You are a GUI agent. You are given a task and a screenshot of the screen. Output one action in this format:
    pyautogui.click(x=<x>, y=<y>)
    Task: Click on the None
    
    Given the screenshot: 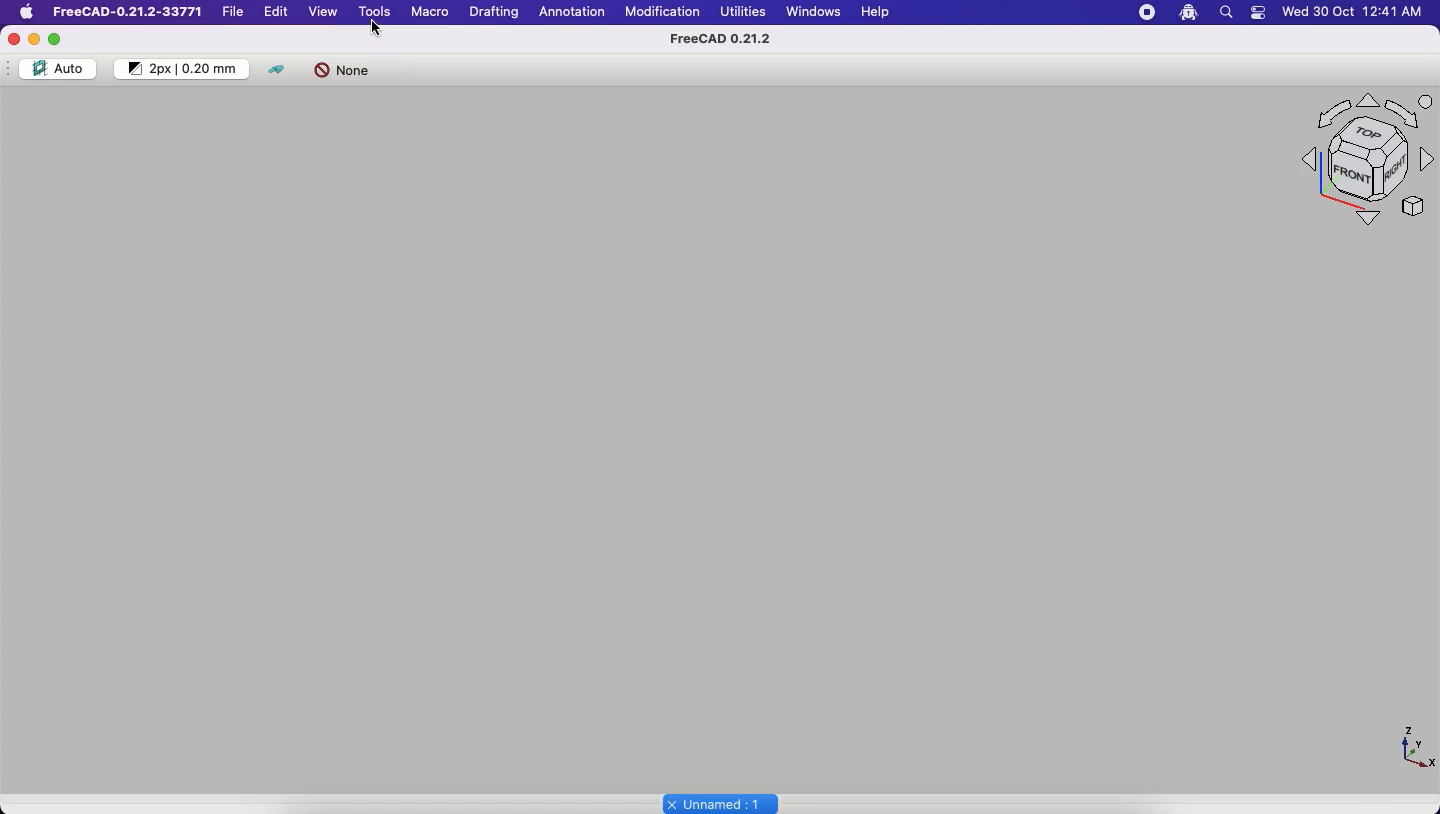 What is the action you would take?
    pyautogui.click(x=347, y=73)
    